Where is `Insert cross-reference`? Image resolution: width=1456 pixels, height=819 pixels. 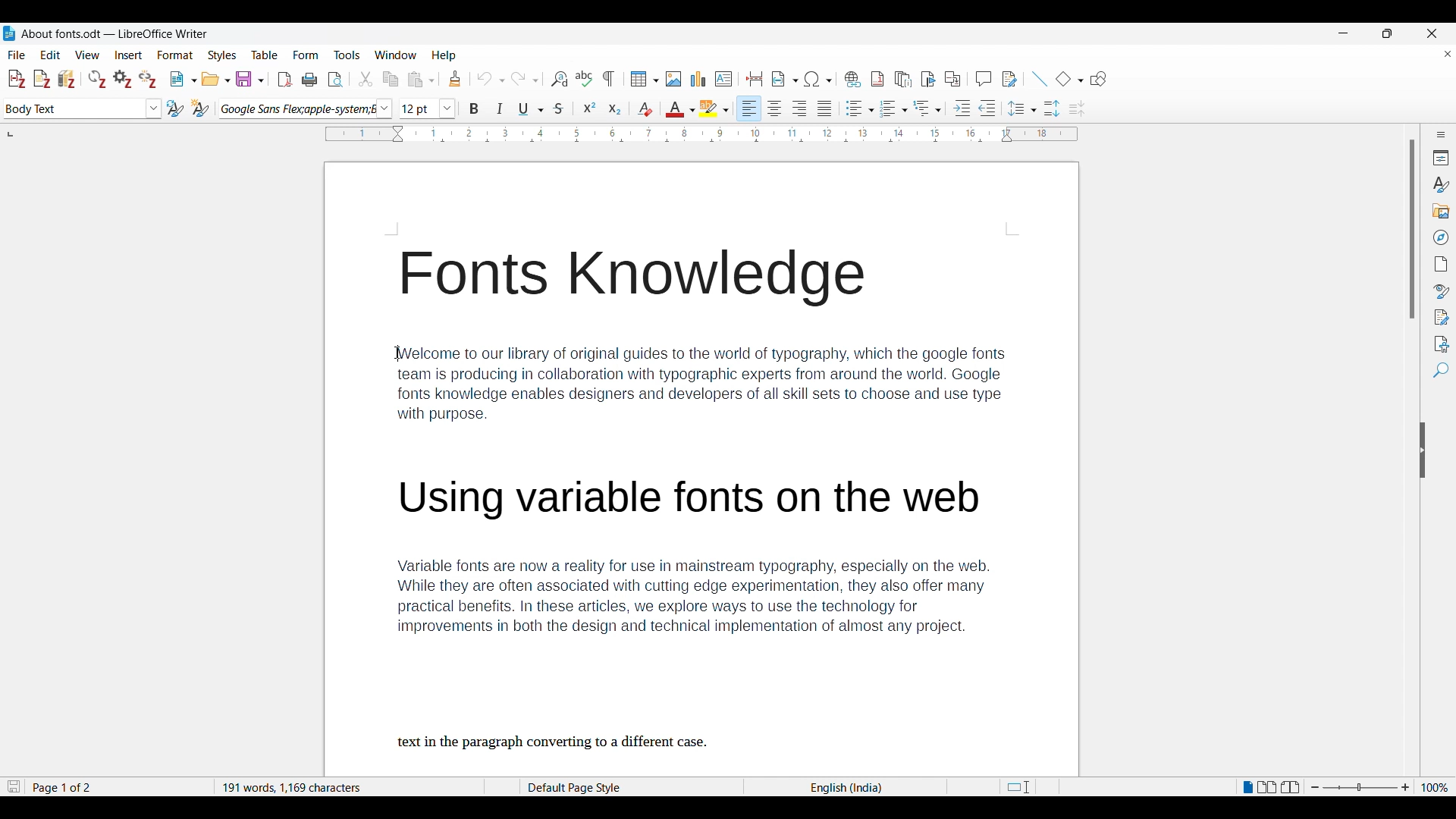
Insert cross-reference is located at coordinates (953, 79).